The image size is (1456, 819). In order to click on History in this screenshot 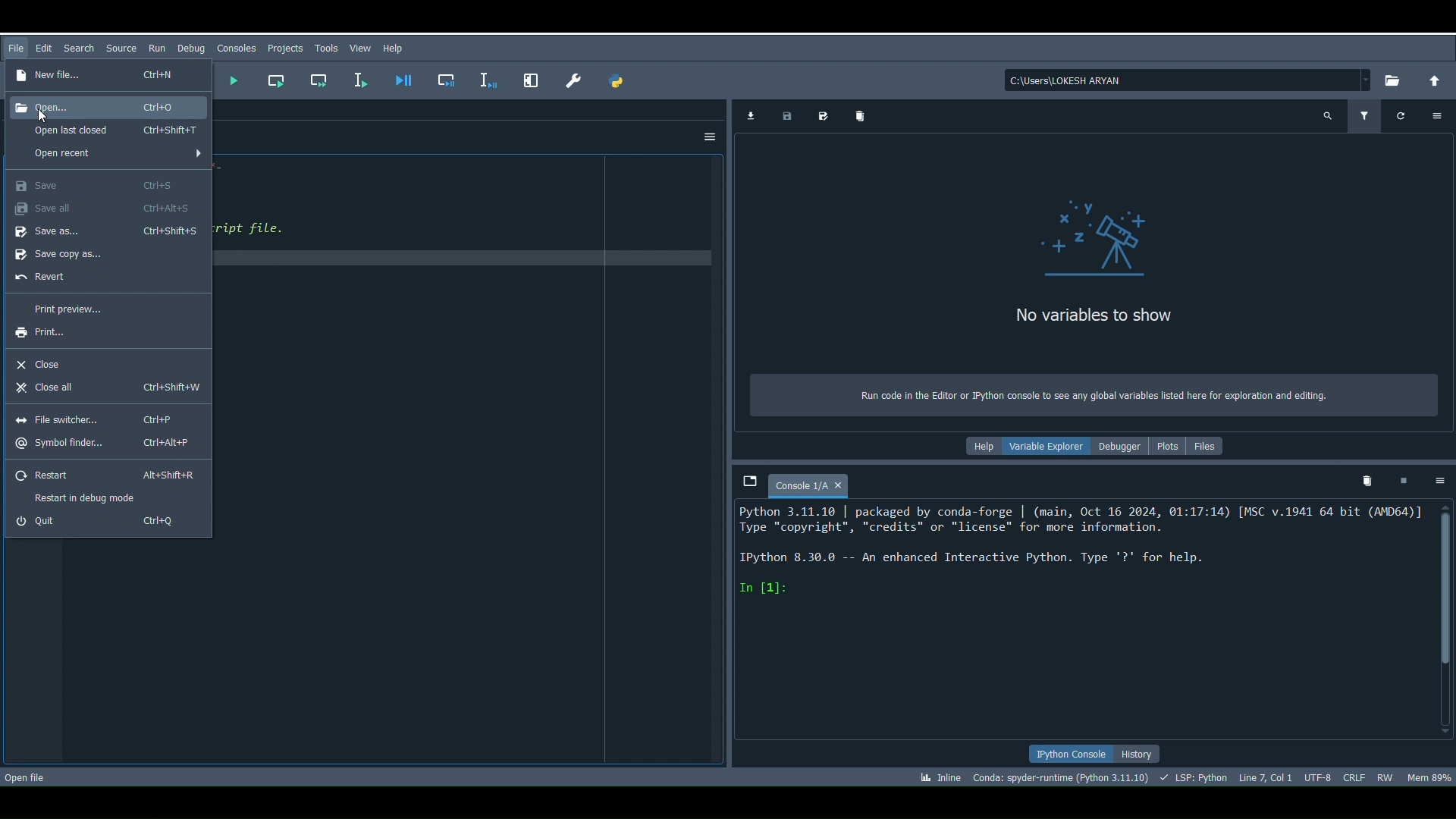, I will do `click(1139, 753)`.